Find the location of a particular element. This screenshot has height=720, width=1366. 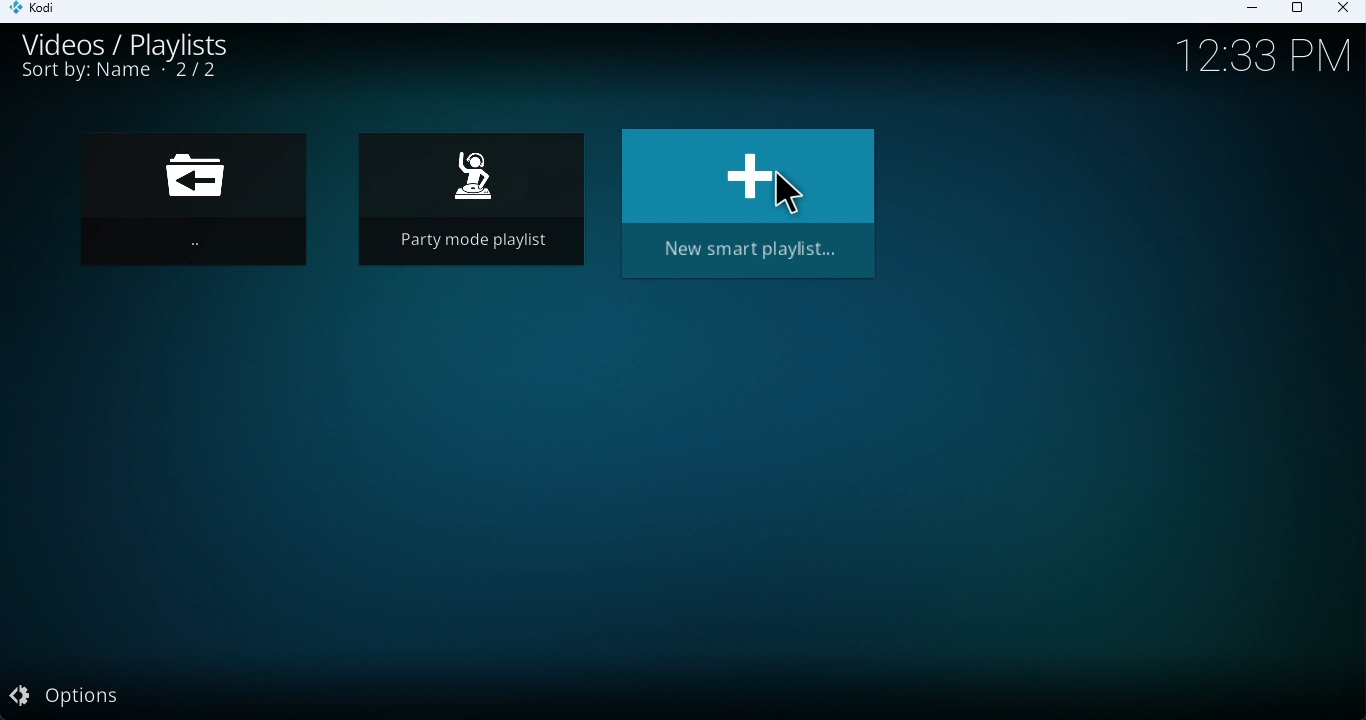

Browse is located at coordinates (207, 208).